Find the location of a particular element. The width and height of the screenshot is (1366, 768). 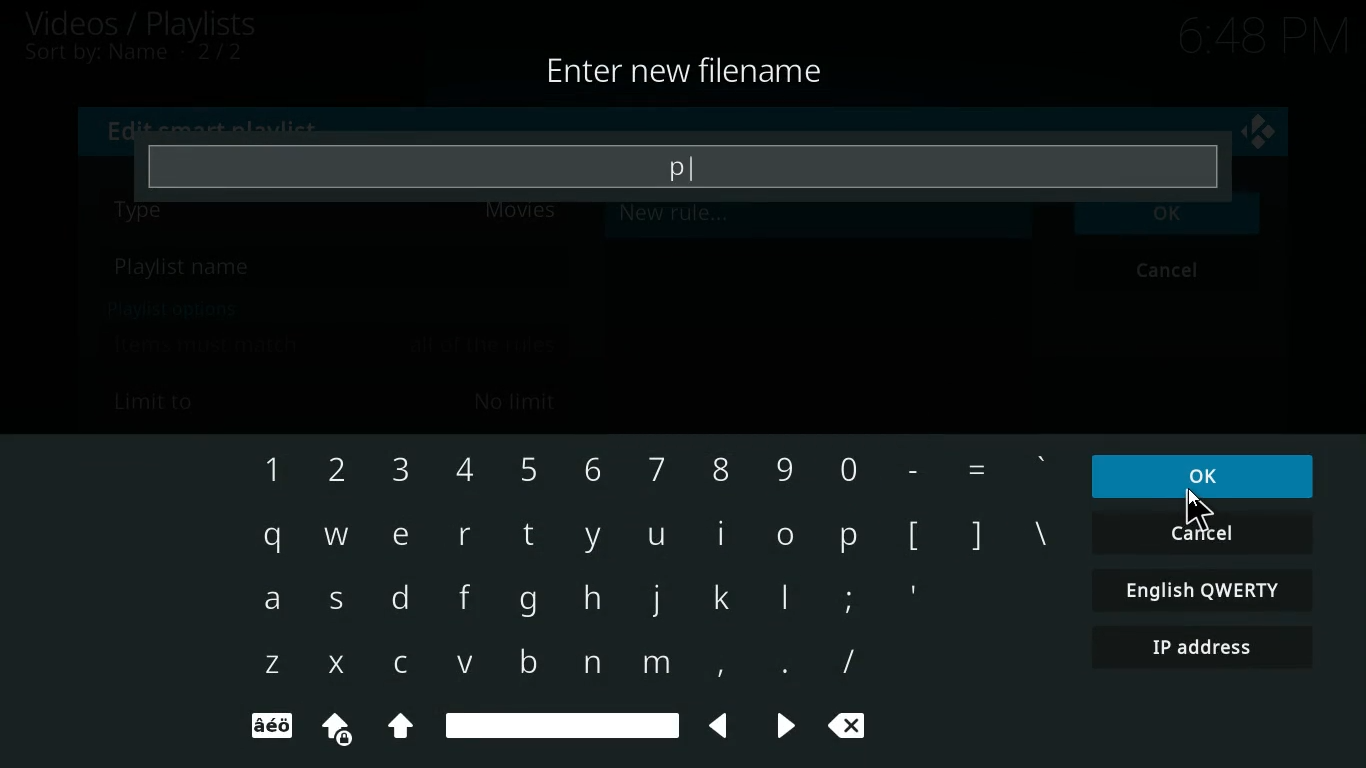

| is located at coordinates (788, 602).